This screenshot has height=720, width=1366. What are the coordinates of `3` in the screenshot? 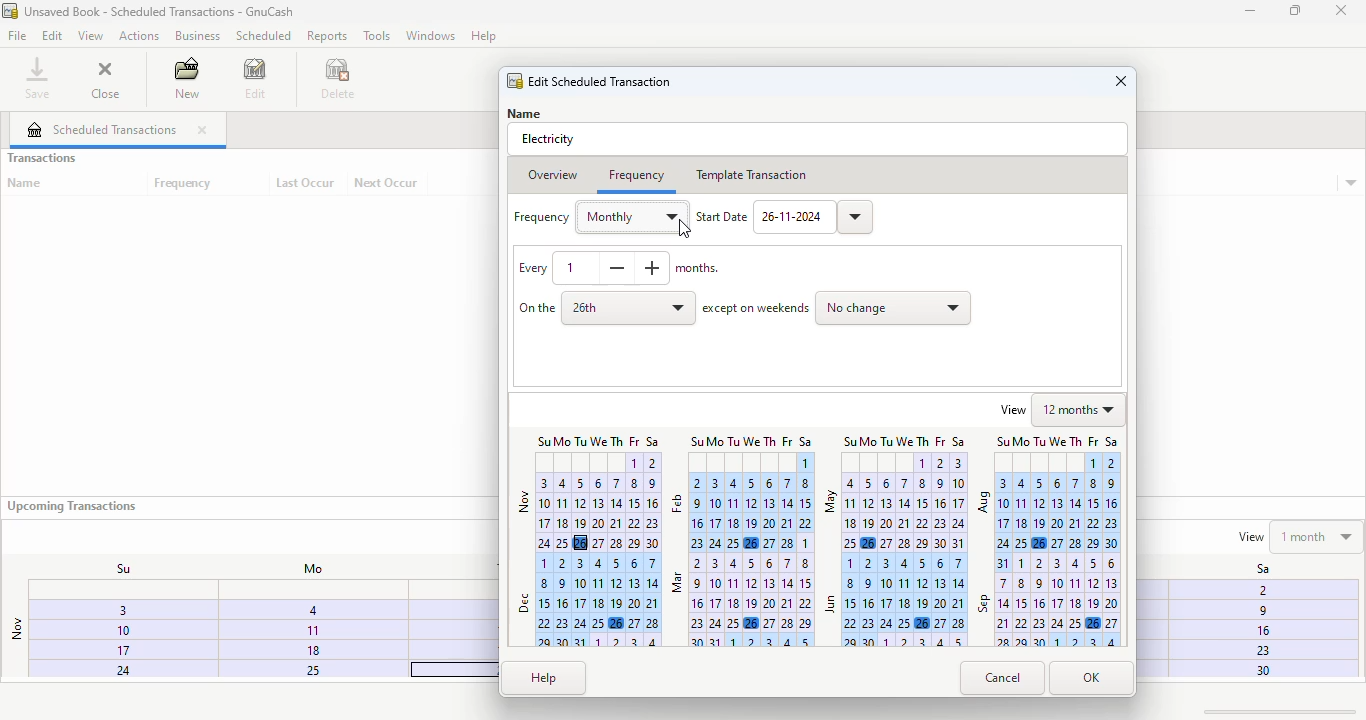 It's located at (111, 613).